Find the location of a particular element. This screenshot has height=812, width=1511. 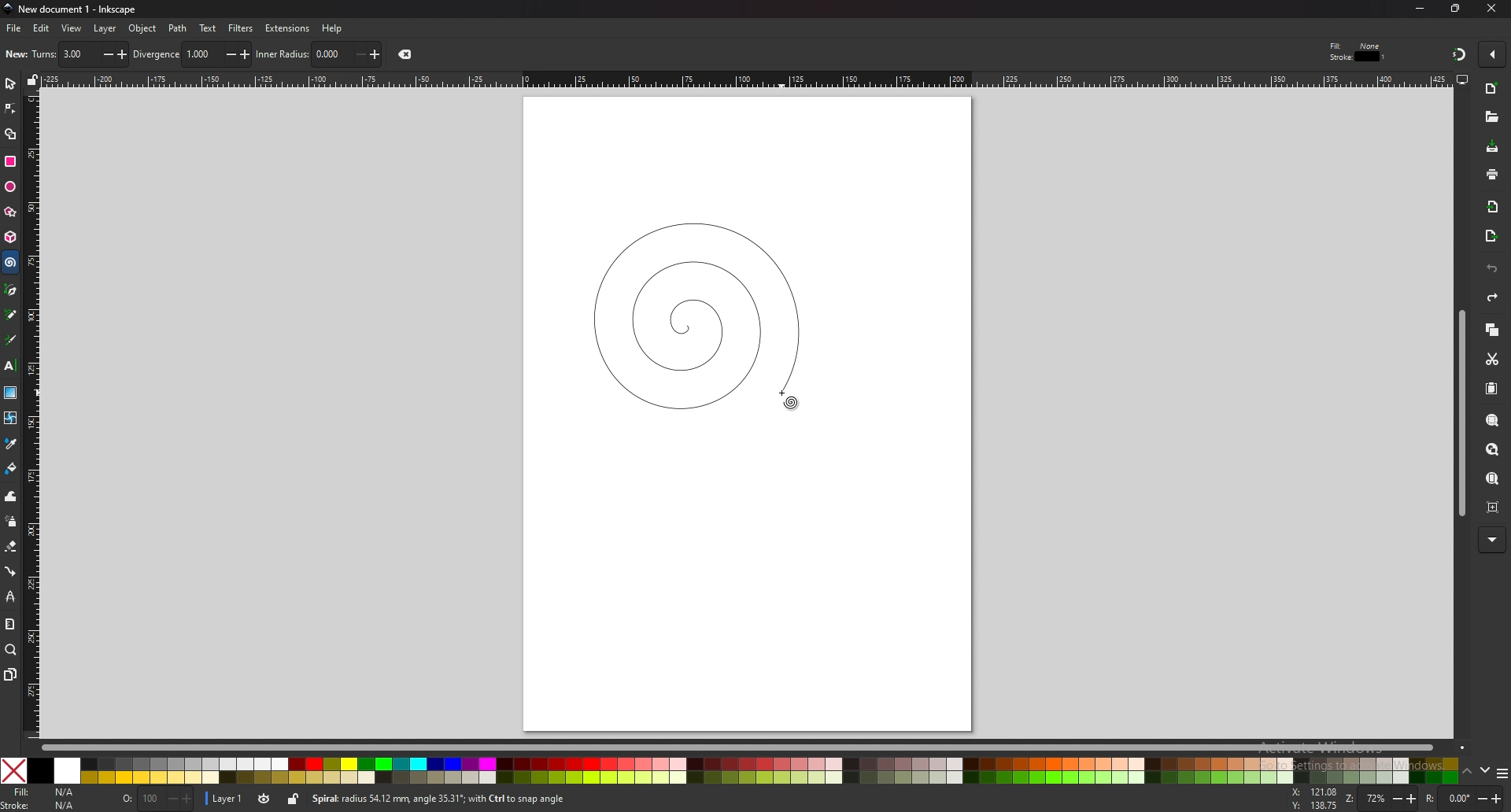

enable snapping is located at coordinates (1491, 53).